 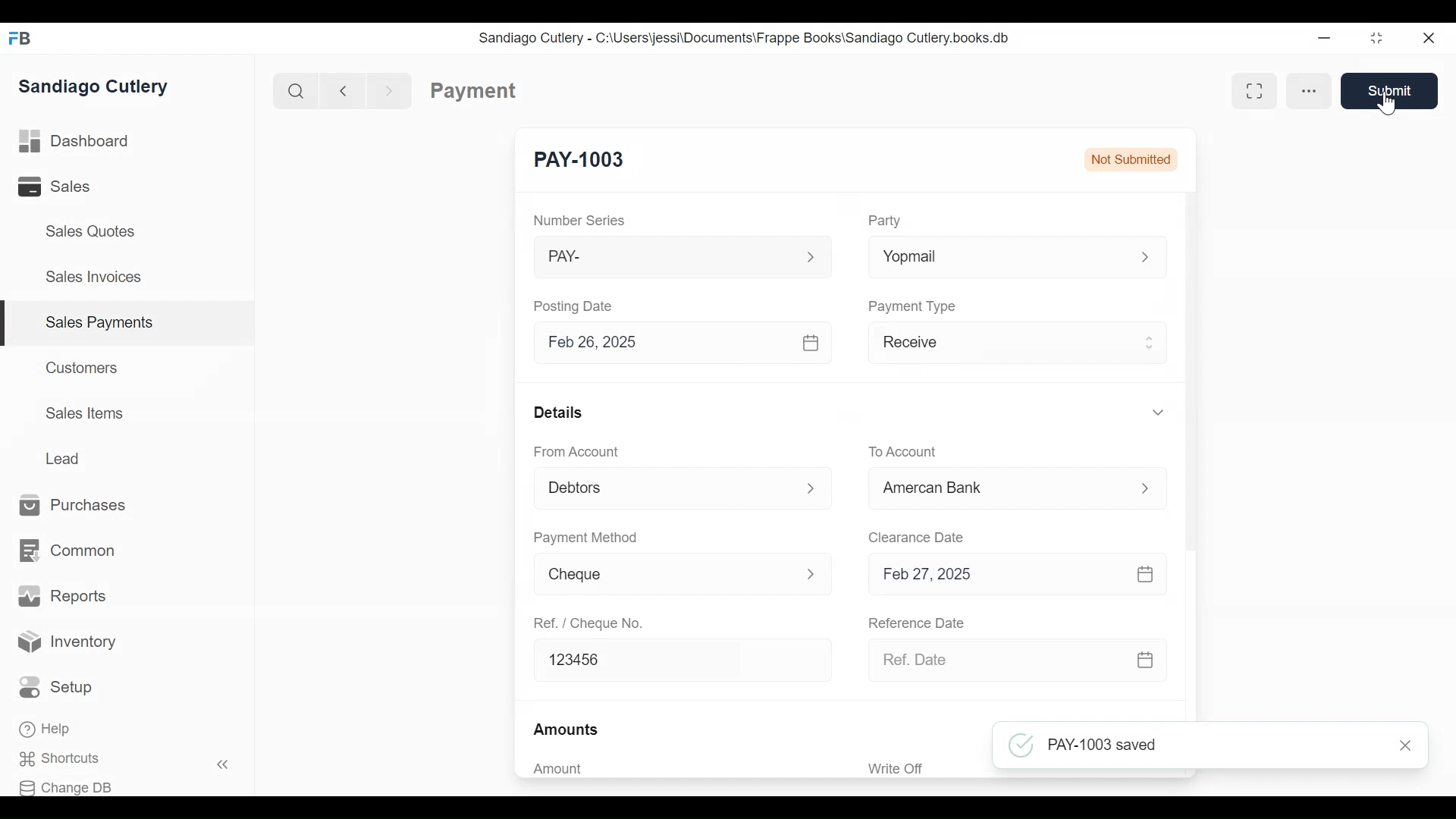 What do you see at coordinates (1148, 573) in the screenshot?
I see `Calendar` at bounding box center [1148, 573].